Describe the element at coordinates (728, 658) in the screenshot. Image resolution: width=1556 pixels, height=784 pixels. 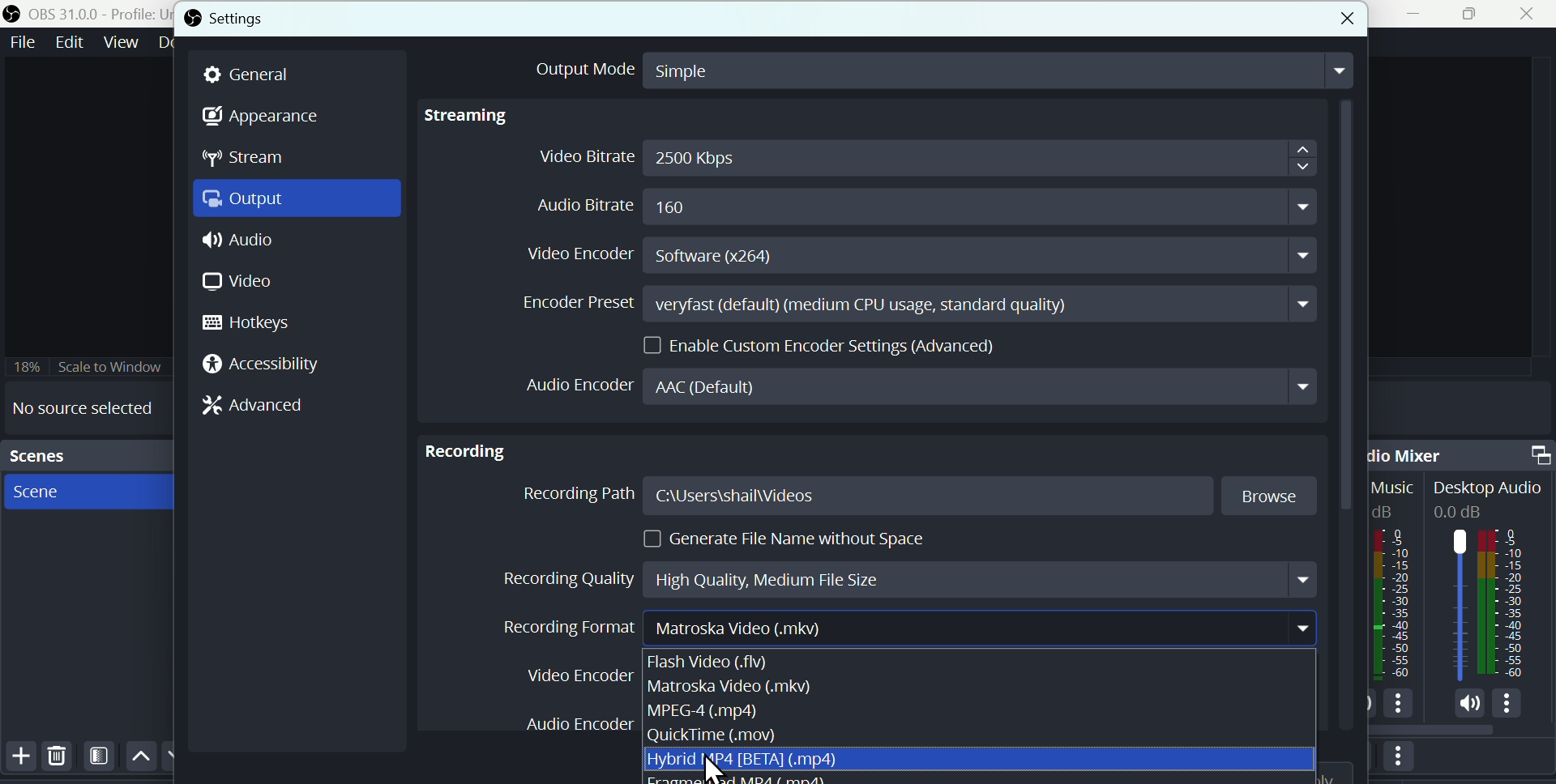
I see `Flash video` at that location.